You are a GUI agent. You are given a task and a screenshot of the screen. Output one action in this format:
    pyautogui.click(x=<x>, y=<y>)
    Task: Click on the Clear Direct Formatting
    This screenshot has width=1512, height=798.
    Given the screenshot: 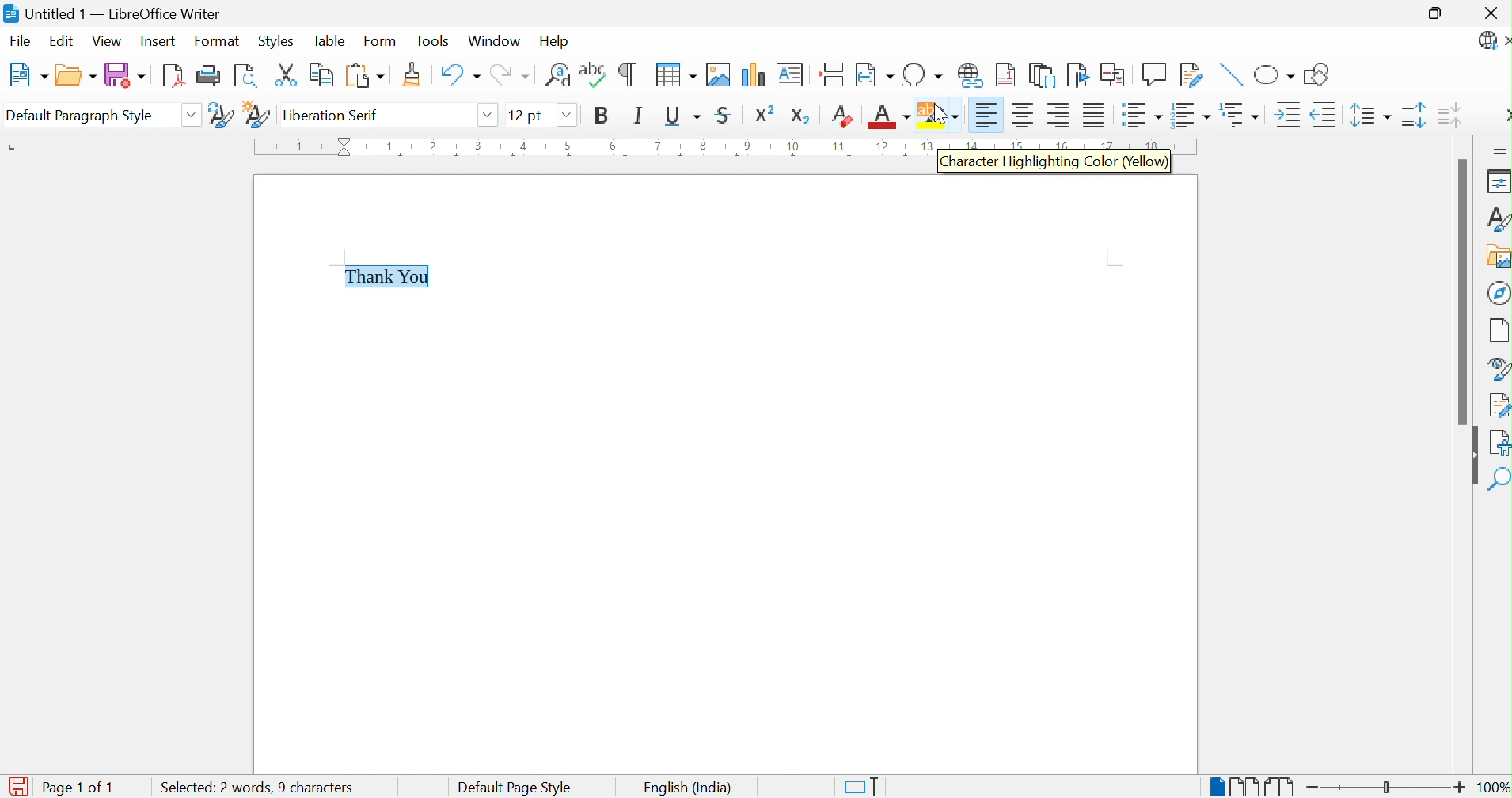 What is the action you would take?
    pyautogui.click(x=843, y=117)
    